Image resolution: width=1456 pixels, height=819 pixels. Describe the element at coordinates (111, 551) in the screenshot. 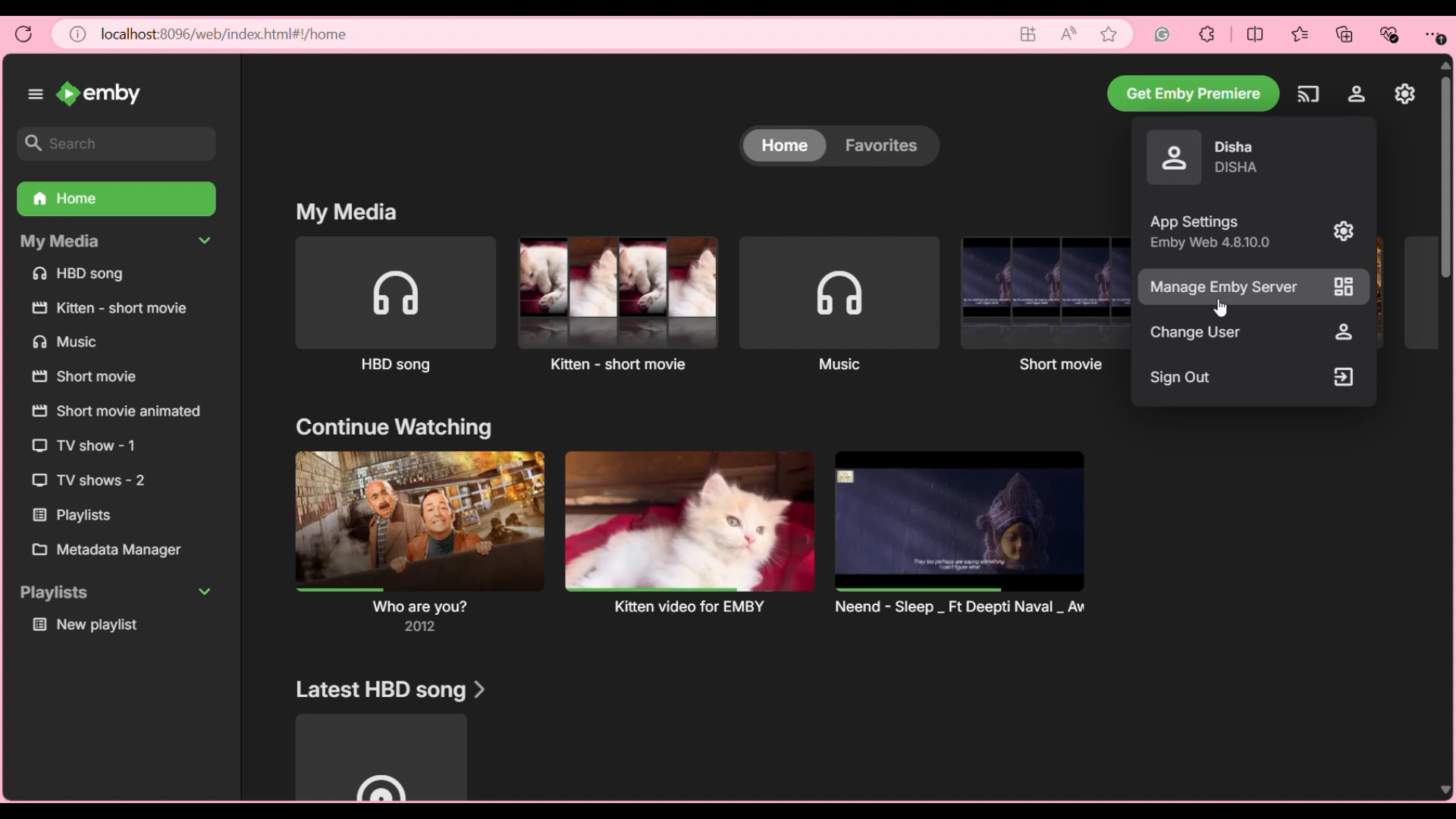

I see `metabase manager` at that location.